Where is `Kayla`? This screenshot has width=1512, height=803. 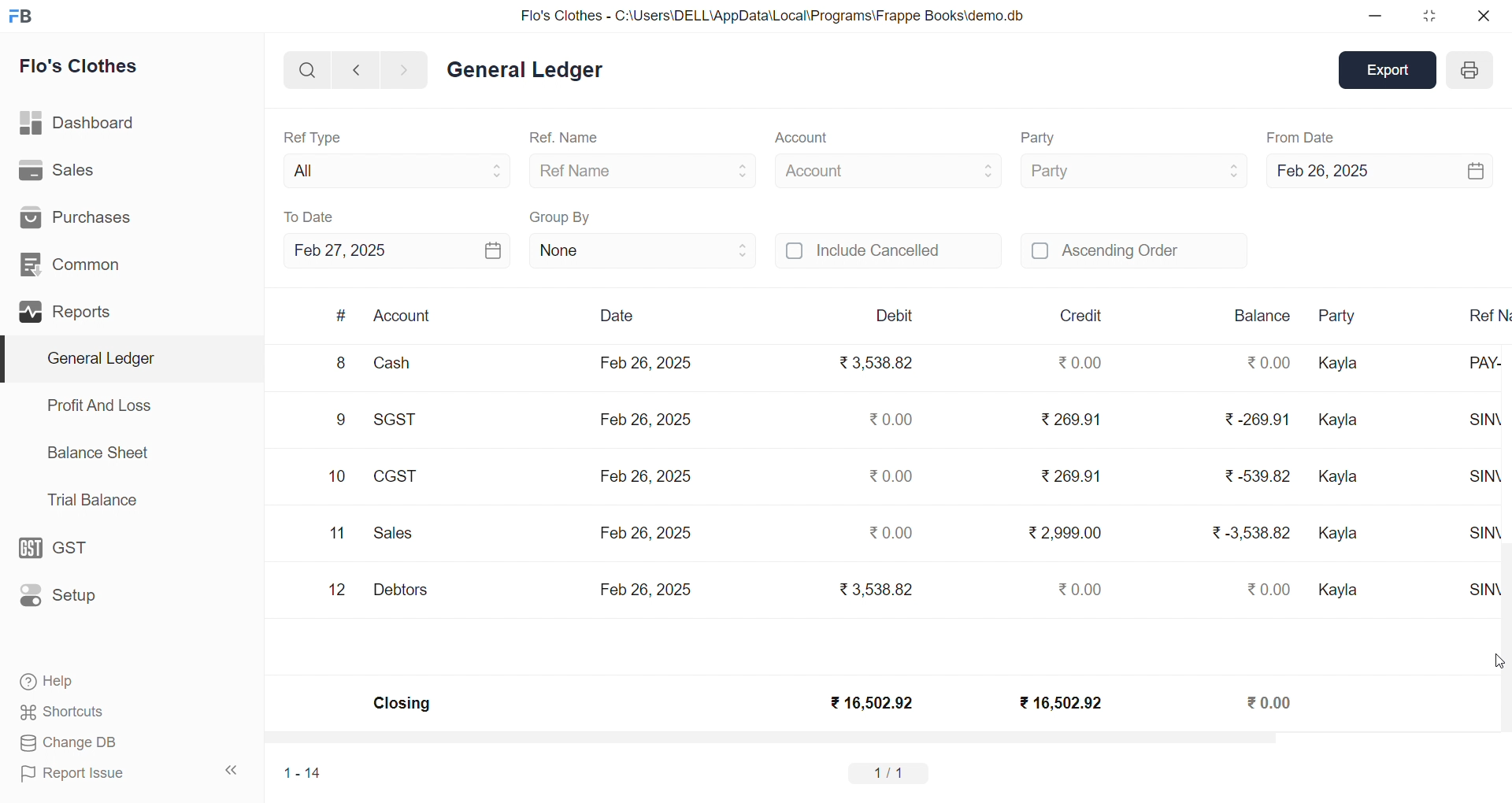
Kayla is located at coordinates (1340, 534).